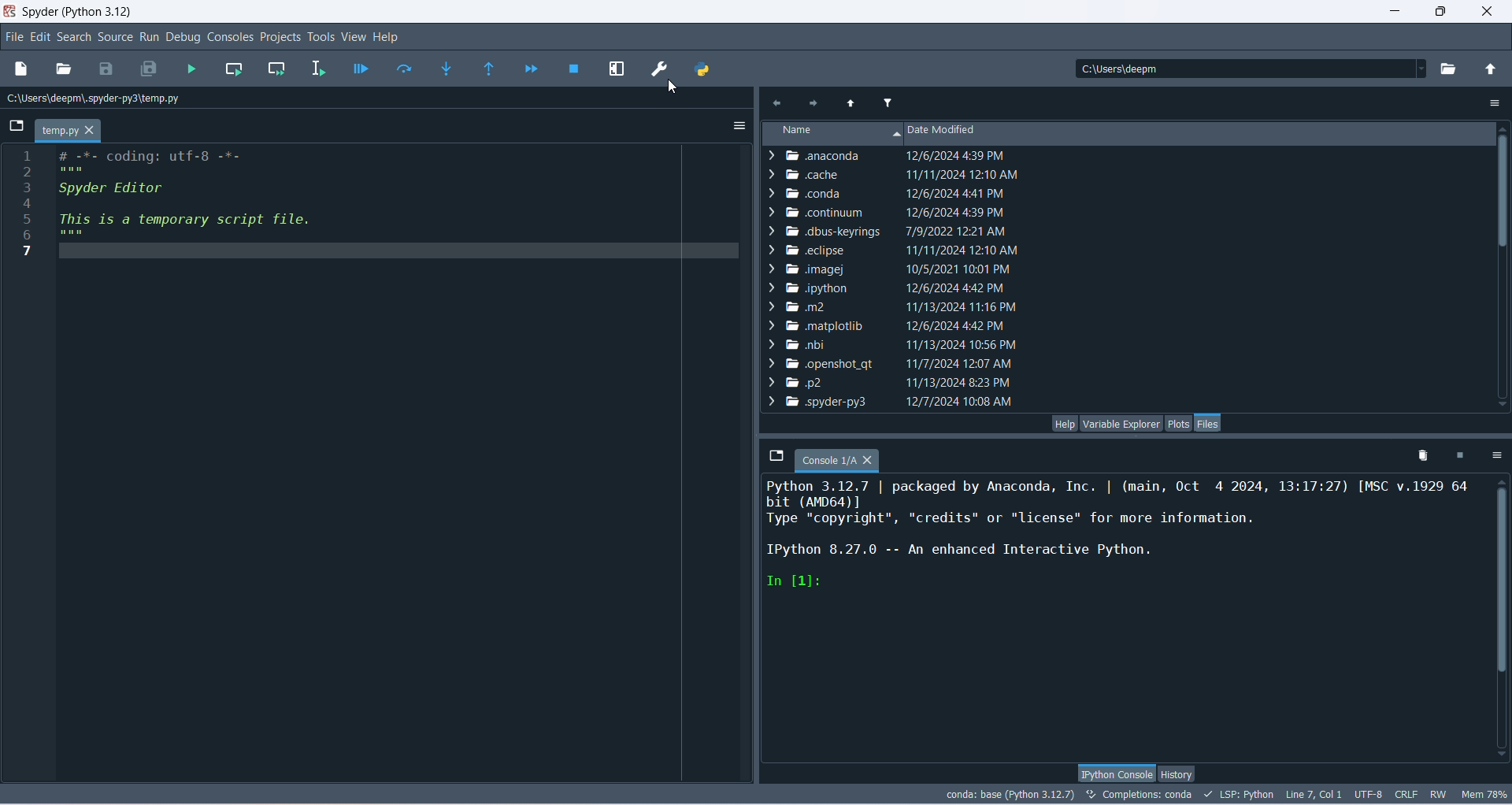  Describe the element at coordinates (576, 69) in the screenshot. I see `stop debugging` at that location.